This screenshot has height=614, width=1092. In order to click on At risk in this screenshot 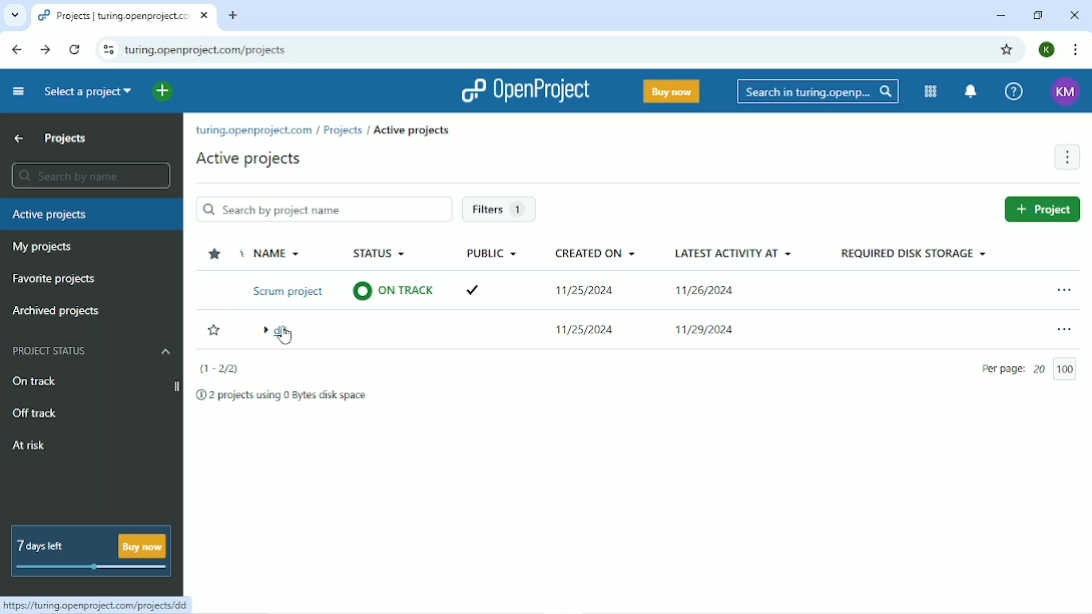, I will do `click(31, 447)`.